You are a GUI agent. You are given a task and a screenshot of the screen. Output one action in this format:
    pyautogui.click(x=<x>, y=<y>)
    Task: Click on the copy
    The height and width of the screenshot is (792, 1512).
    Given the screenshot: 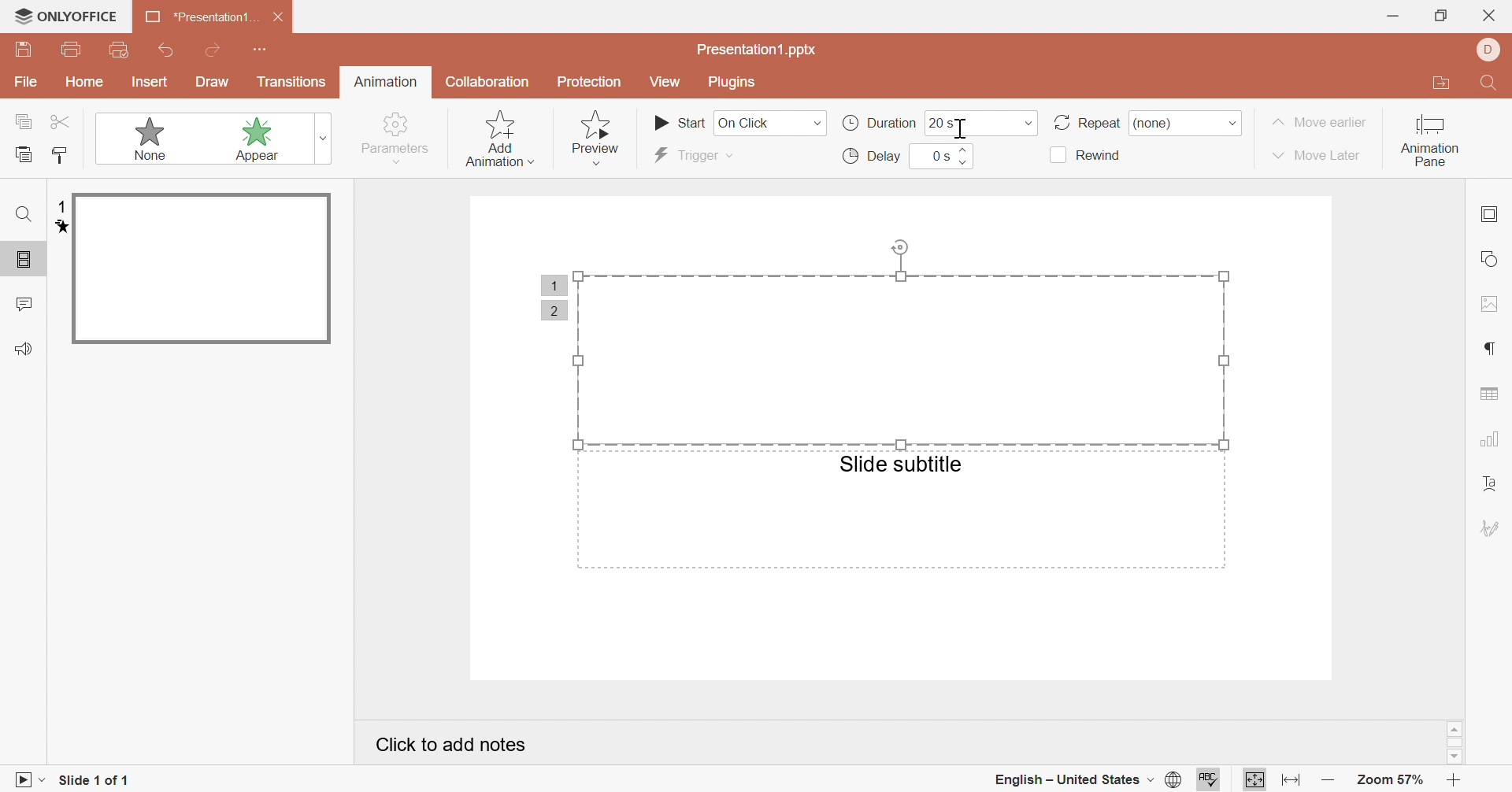 What is the action you would take?
    pyautogui.click(x=24, y=120)
    